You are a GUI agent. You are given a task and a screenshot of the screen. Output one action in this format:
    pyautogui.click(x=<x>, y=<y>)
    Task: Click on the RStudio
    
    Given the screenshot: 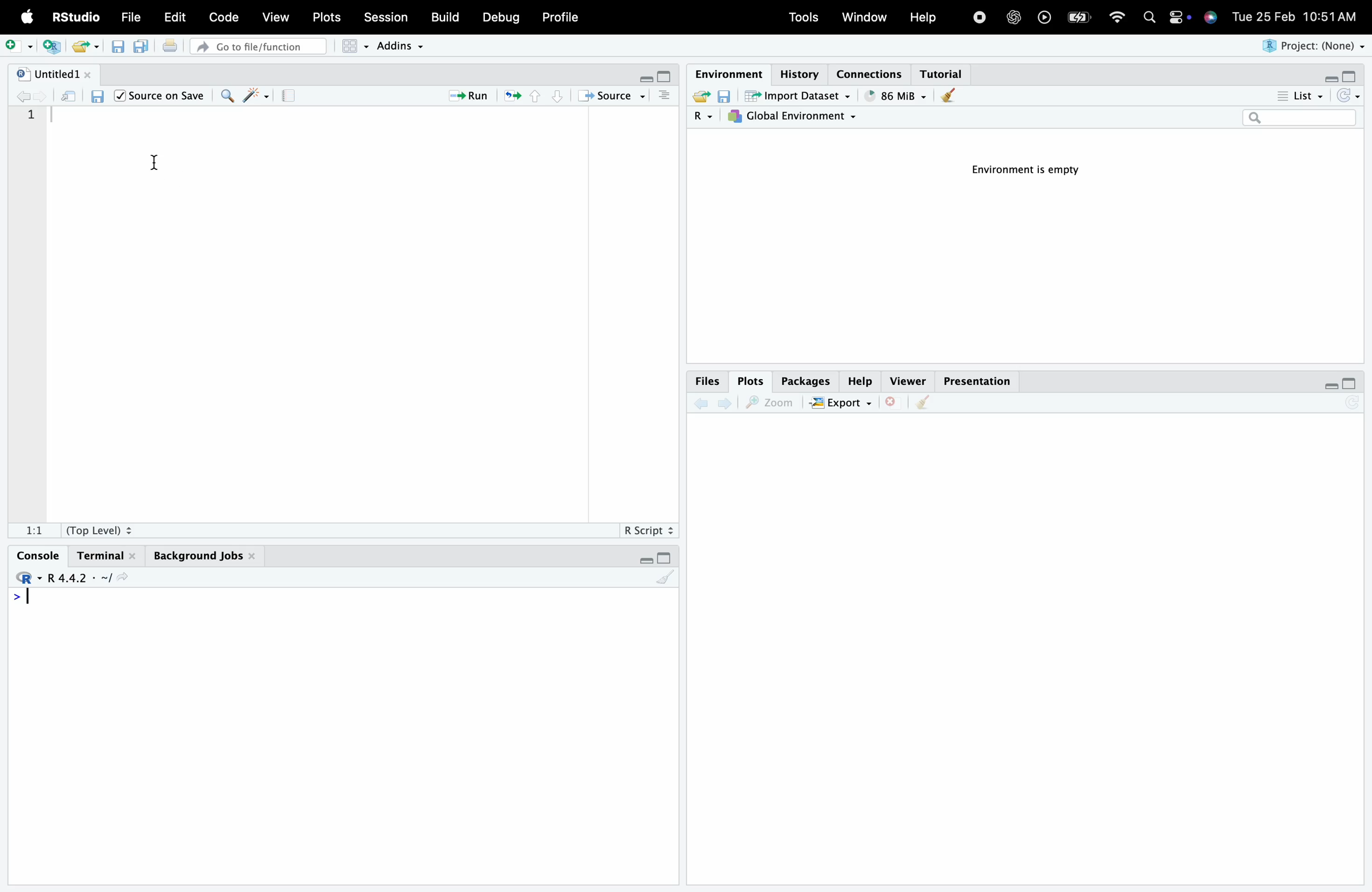 What is the action you would take?
    pyautogui.click(x=74, y=16)
    